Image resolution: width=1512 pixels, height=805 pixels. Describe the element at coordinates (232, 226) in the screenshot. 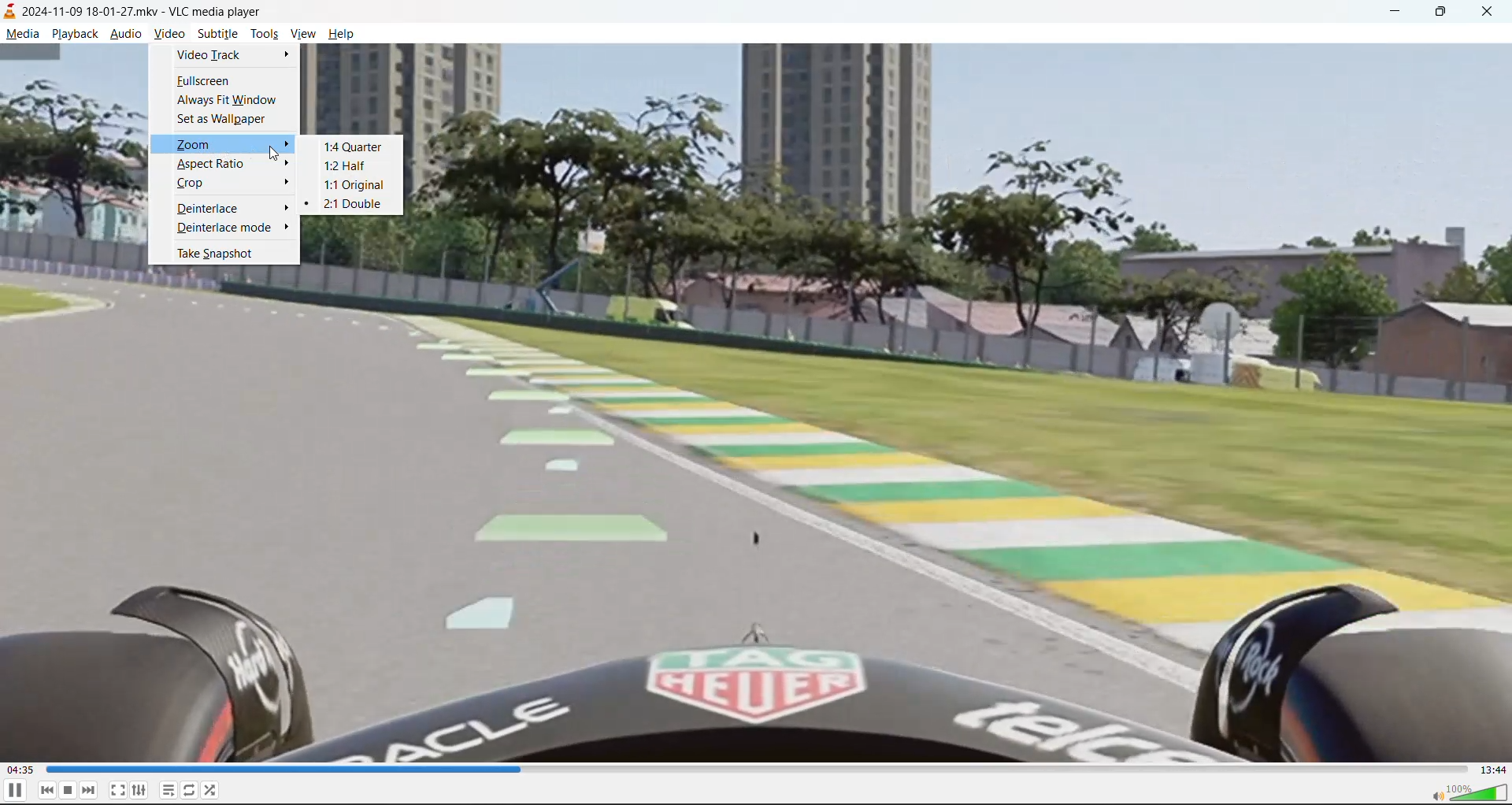

I see `deinterlace mode` at that location.